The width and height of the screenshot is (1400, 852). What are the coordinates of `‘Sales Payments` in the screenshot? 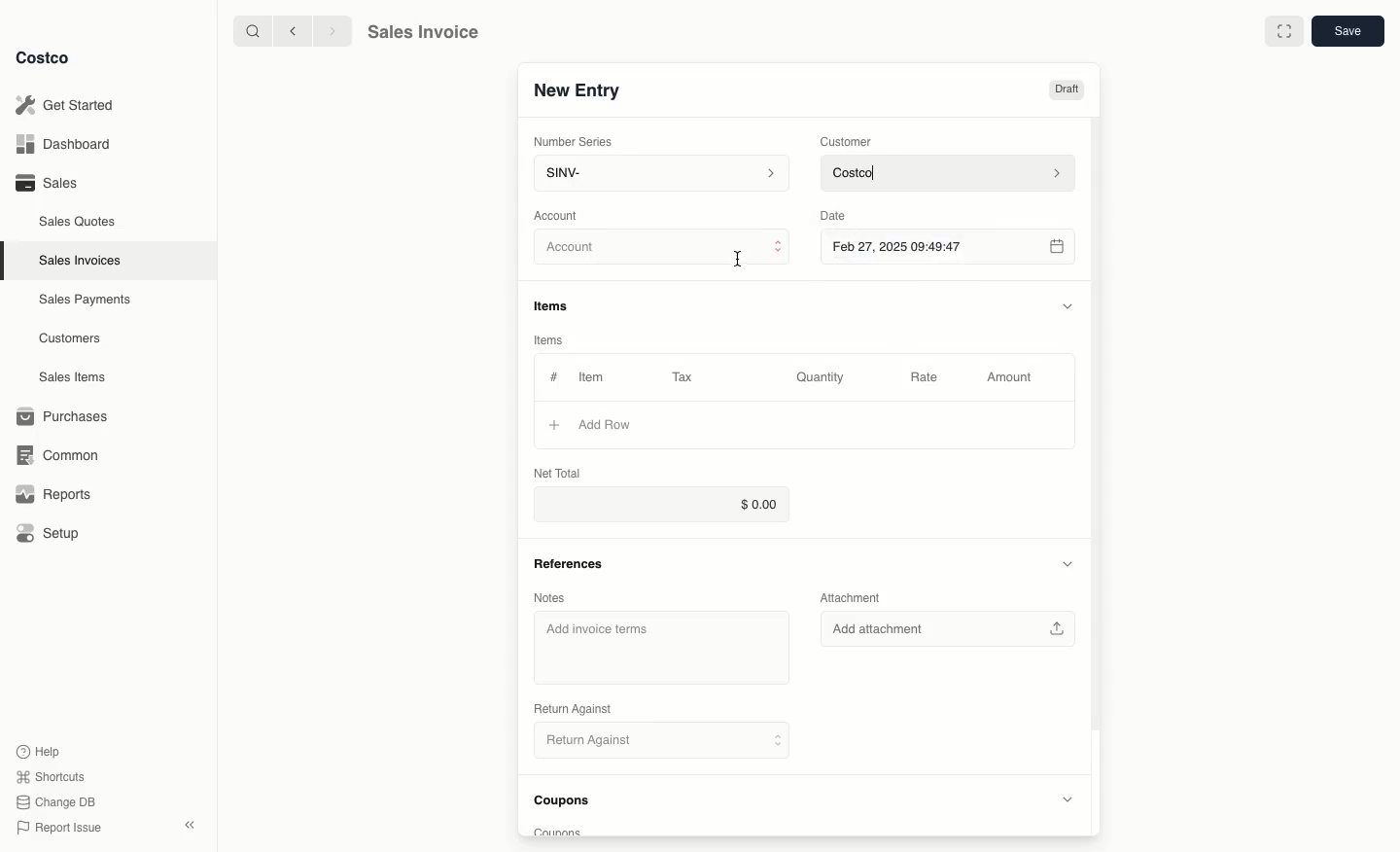 It's located at (85, 298).